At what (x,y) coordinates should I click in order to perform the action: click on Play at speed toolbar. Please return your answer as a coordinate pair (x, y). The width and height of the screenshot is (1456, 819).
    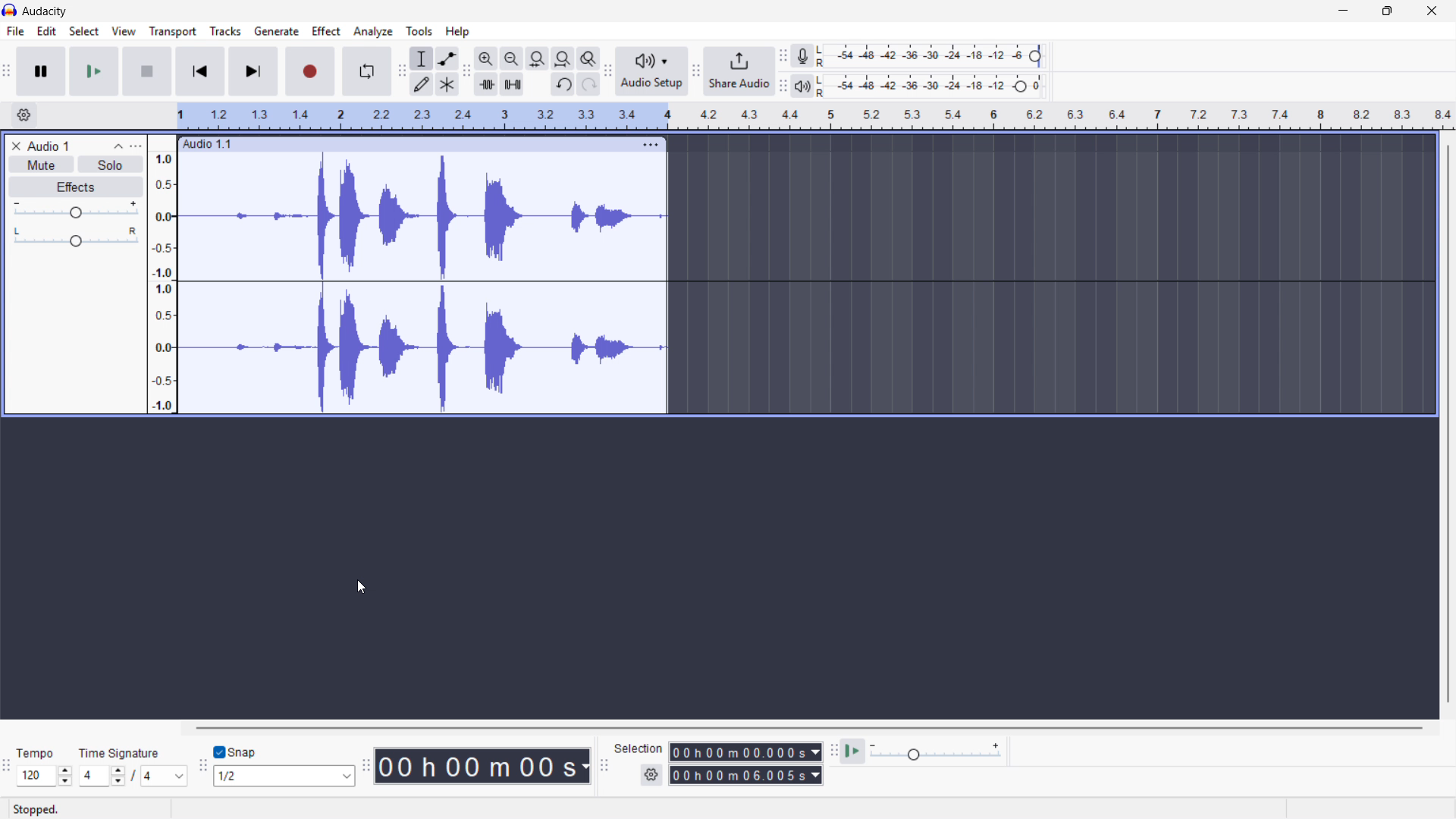
    Looking at the image, I should click on (831, 752).